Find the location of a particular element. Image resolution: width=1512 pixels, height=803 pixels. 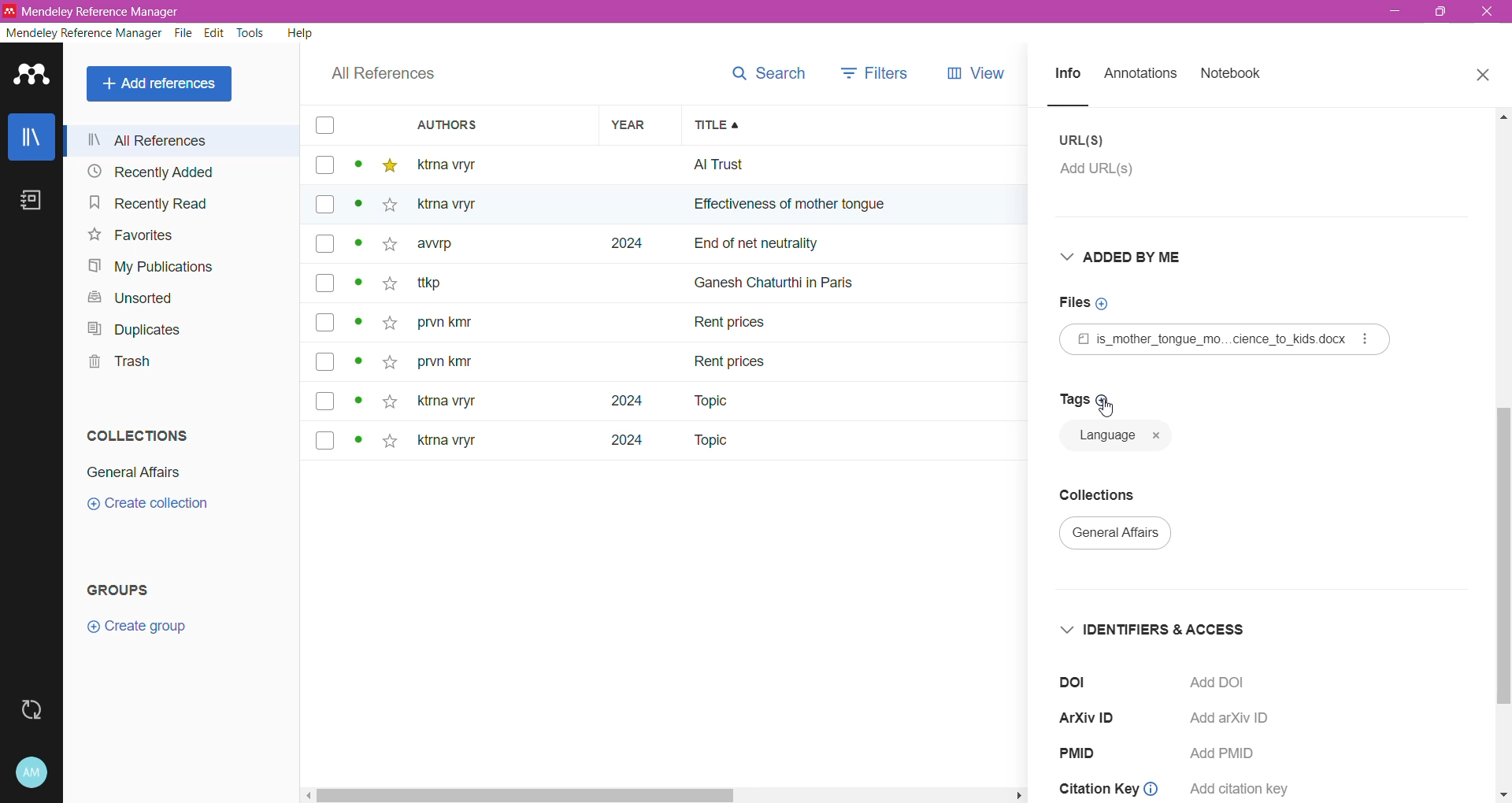

Last sync is located at coordinates (31, 710).